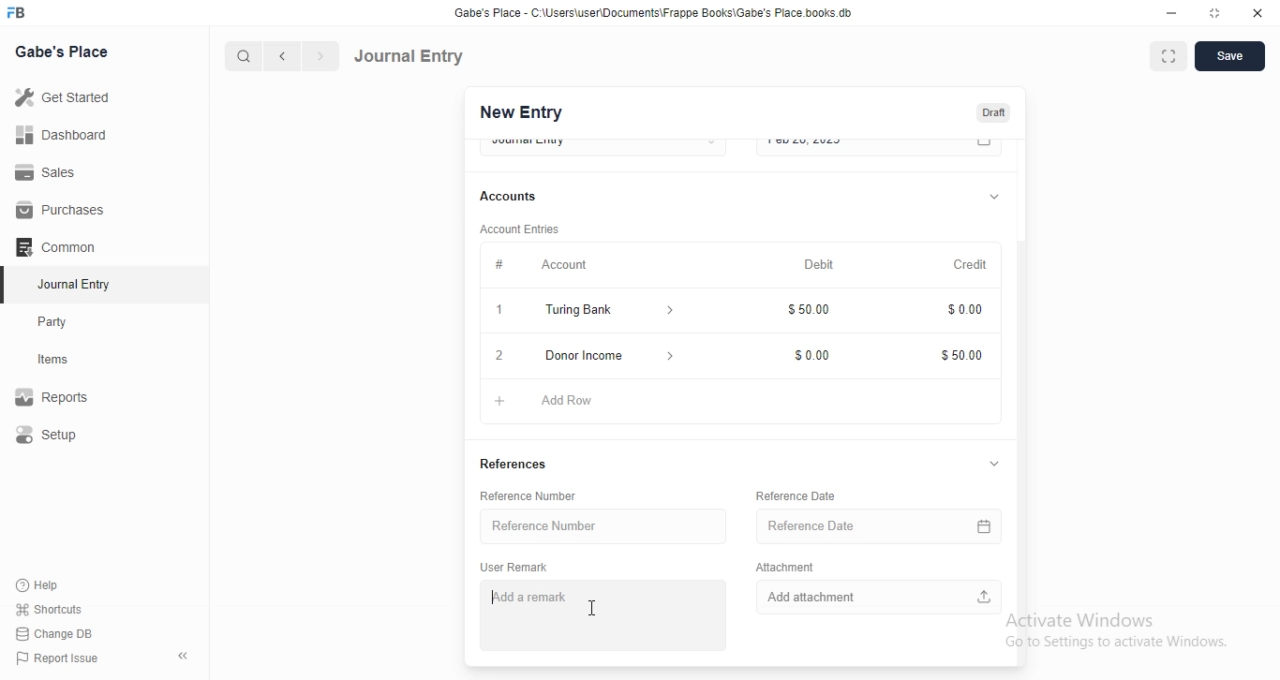  What do you see at coordinates (502, 312) in the screenshot?
I see `1` at bounding box center [502, 312].